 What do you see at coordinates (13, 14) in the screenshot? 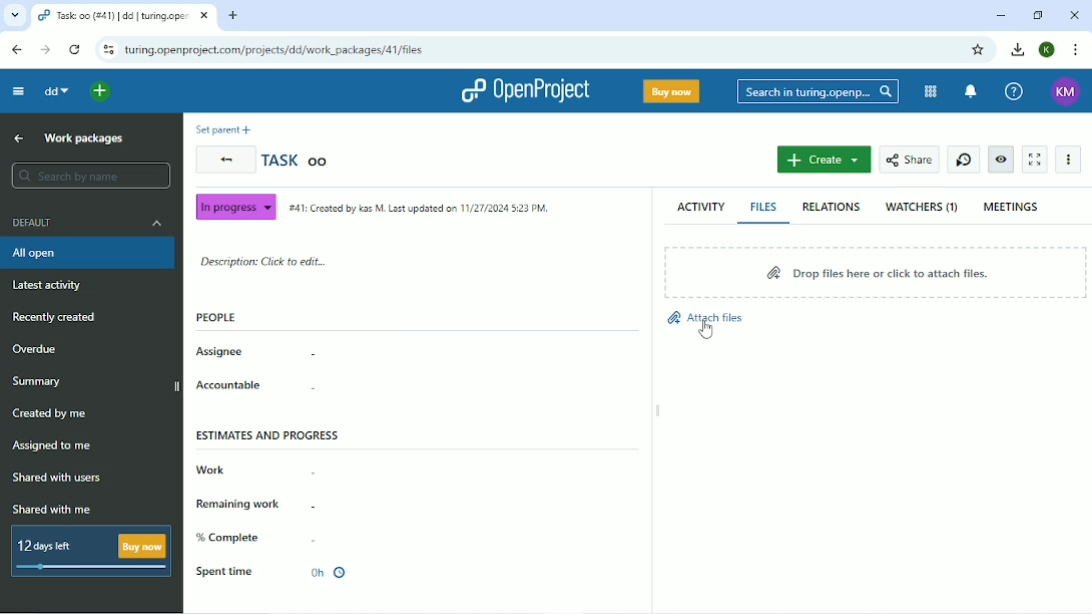
I see `Search tabs` at bounding box center [13, 14].